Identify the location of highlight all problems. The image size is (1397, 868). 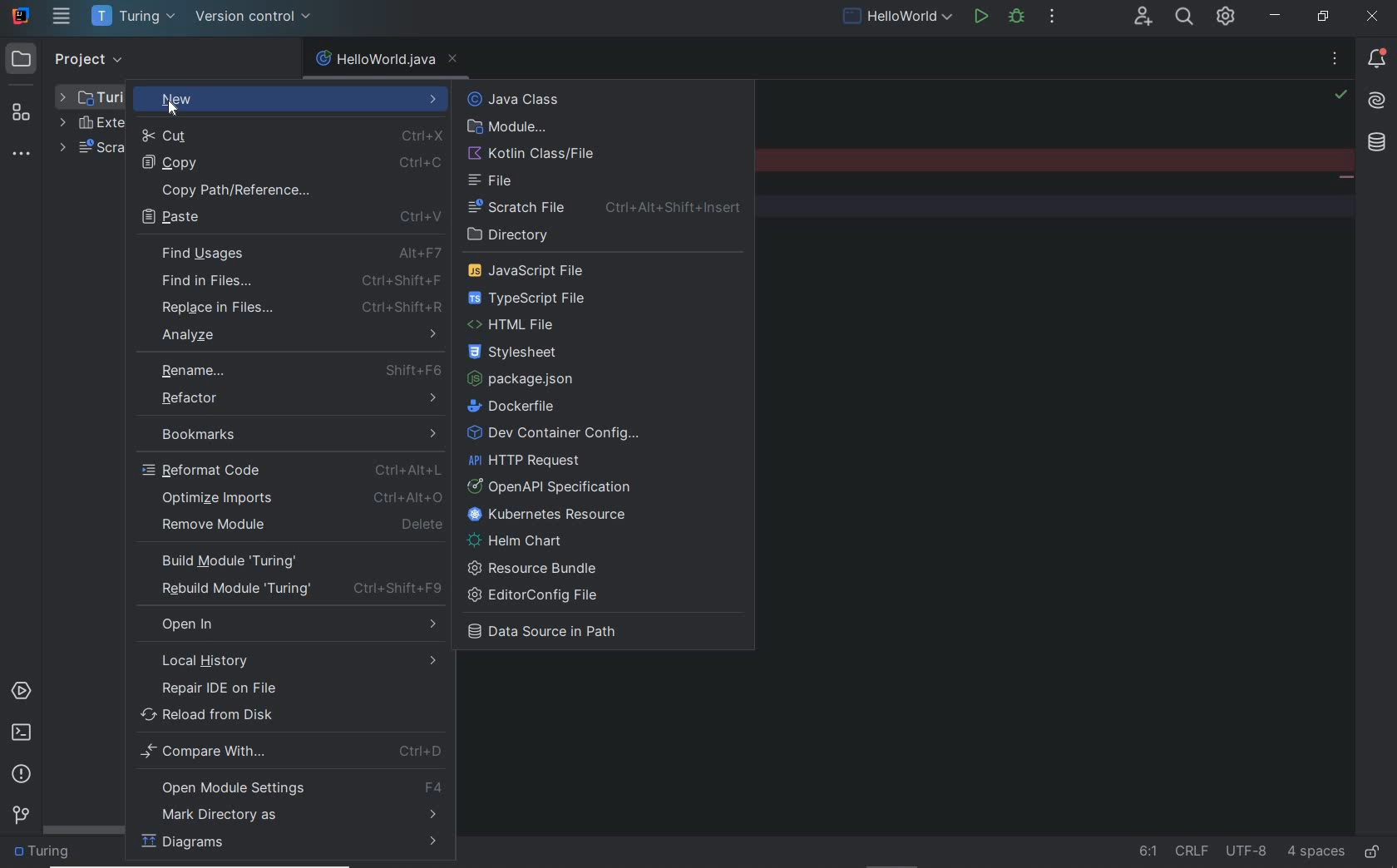
(1340, 95).